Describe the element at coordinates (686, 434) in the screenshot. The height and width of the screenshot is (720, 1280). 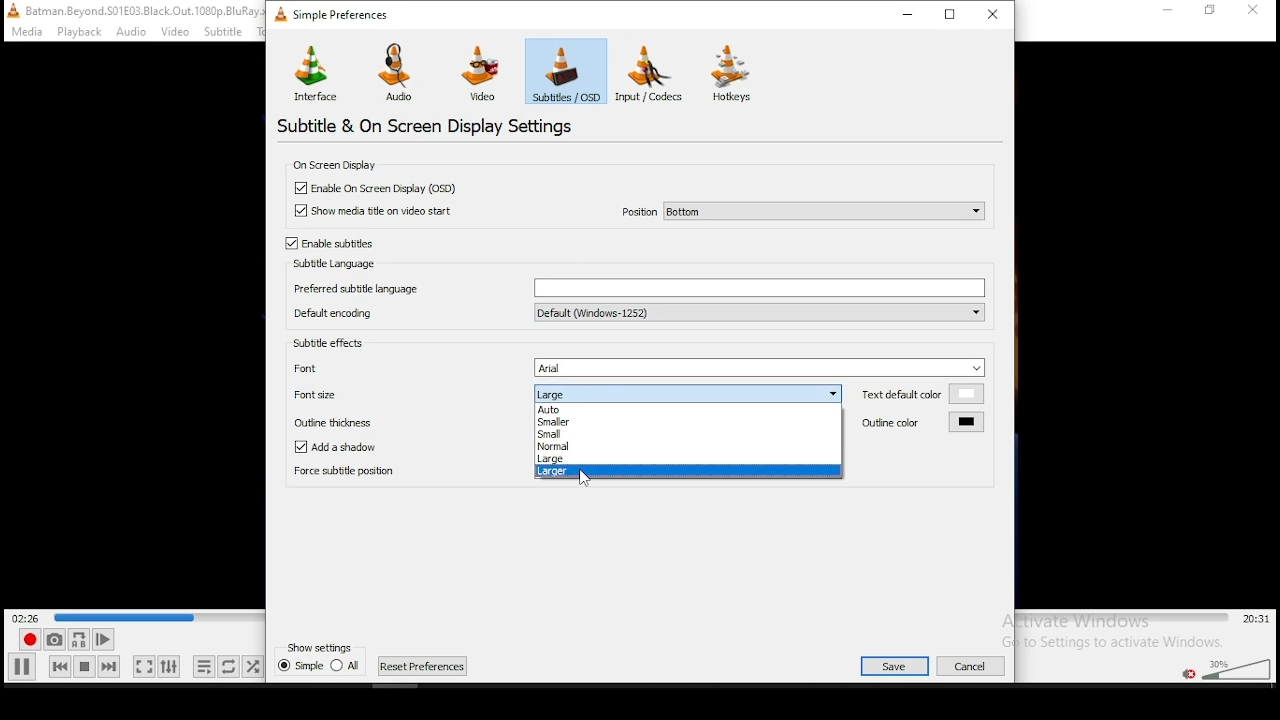
I see `small` at that location.